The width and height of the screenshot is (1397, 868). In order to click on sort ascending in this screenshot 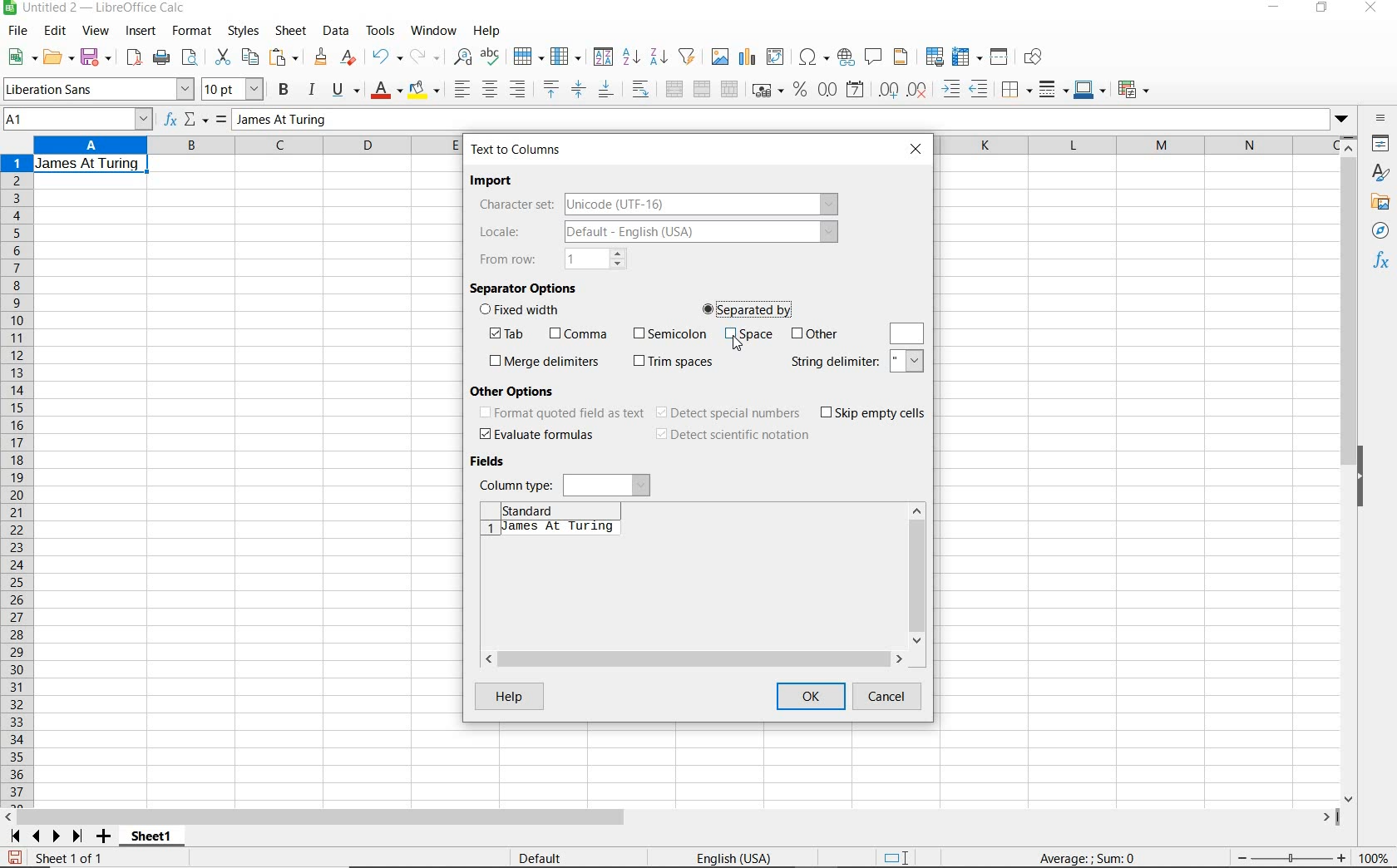, I will do `click(630, 57)`.